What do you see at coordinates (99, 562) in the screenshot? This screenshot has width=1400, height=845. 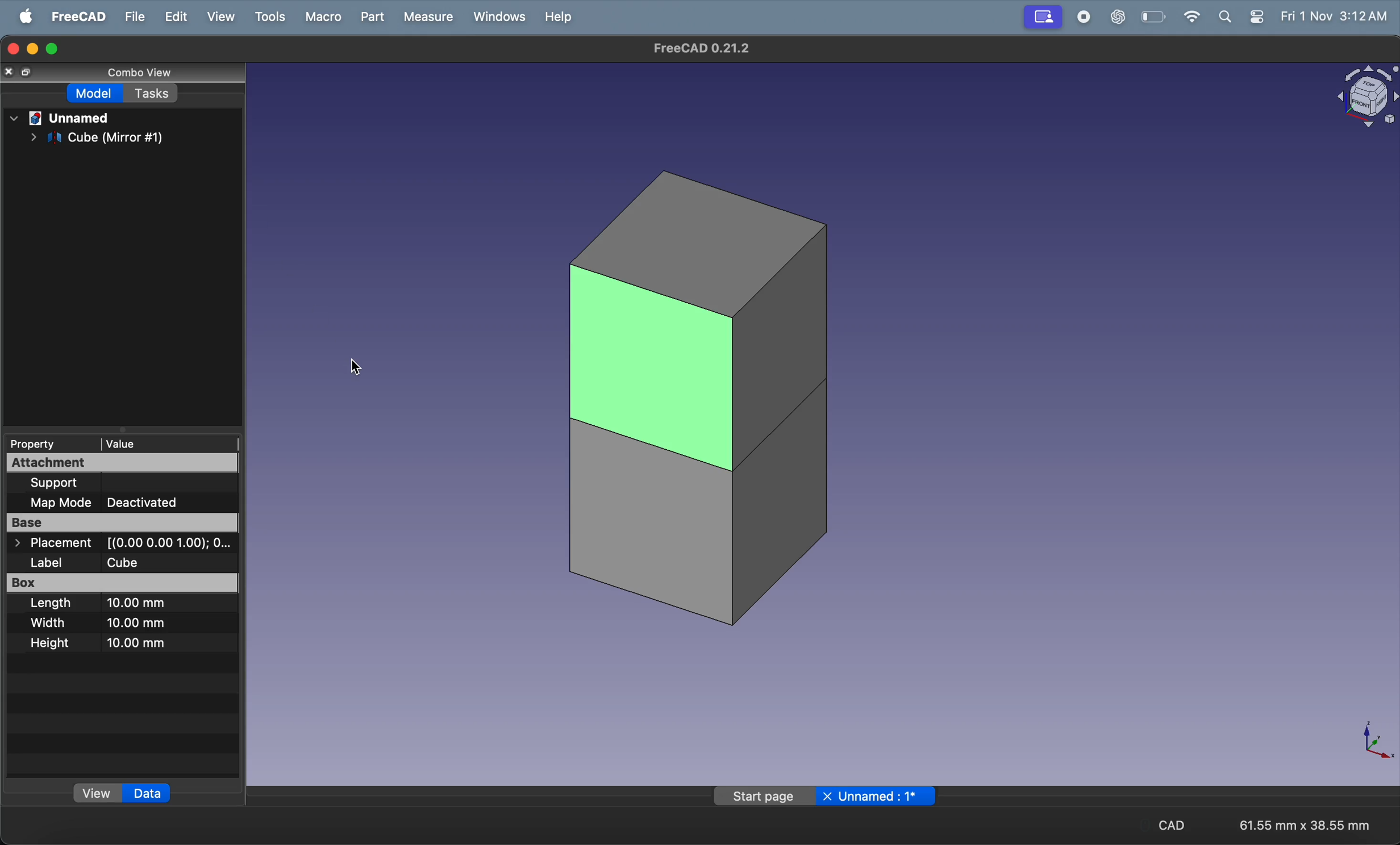 I see `Label     Cube` at bounding box center [99, 562].